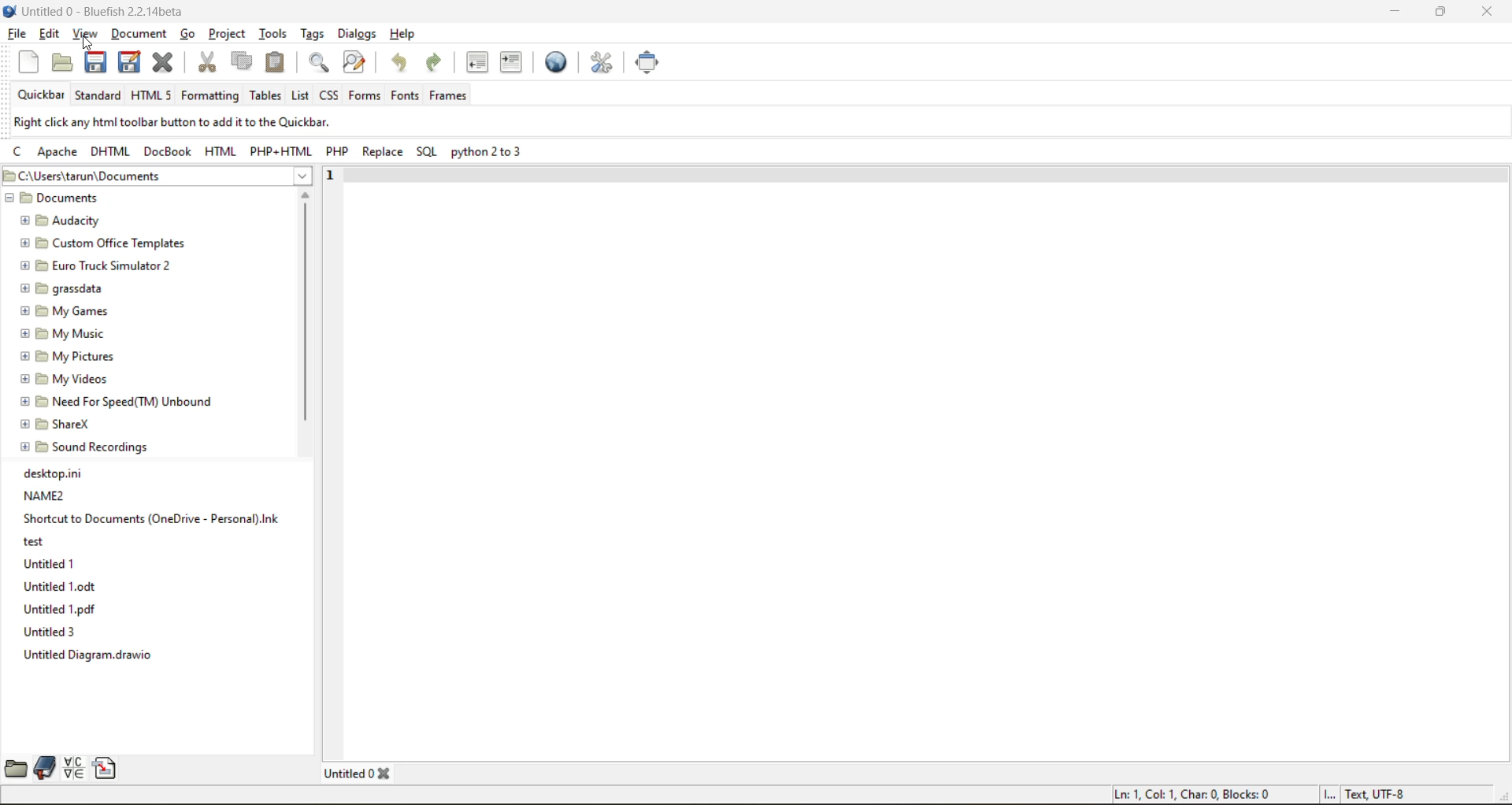 The height and width of the screenshot is (805, 1512). Describe the element at coordinates (1262, 793) in the screenshot. I see `metadata` at that location.